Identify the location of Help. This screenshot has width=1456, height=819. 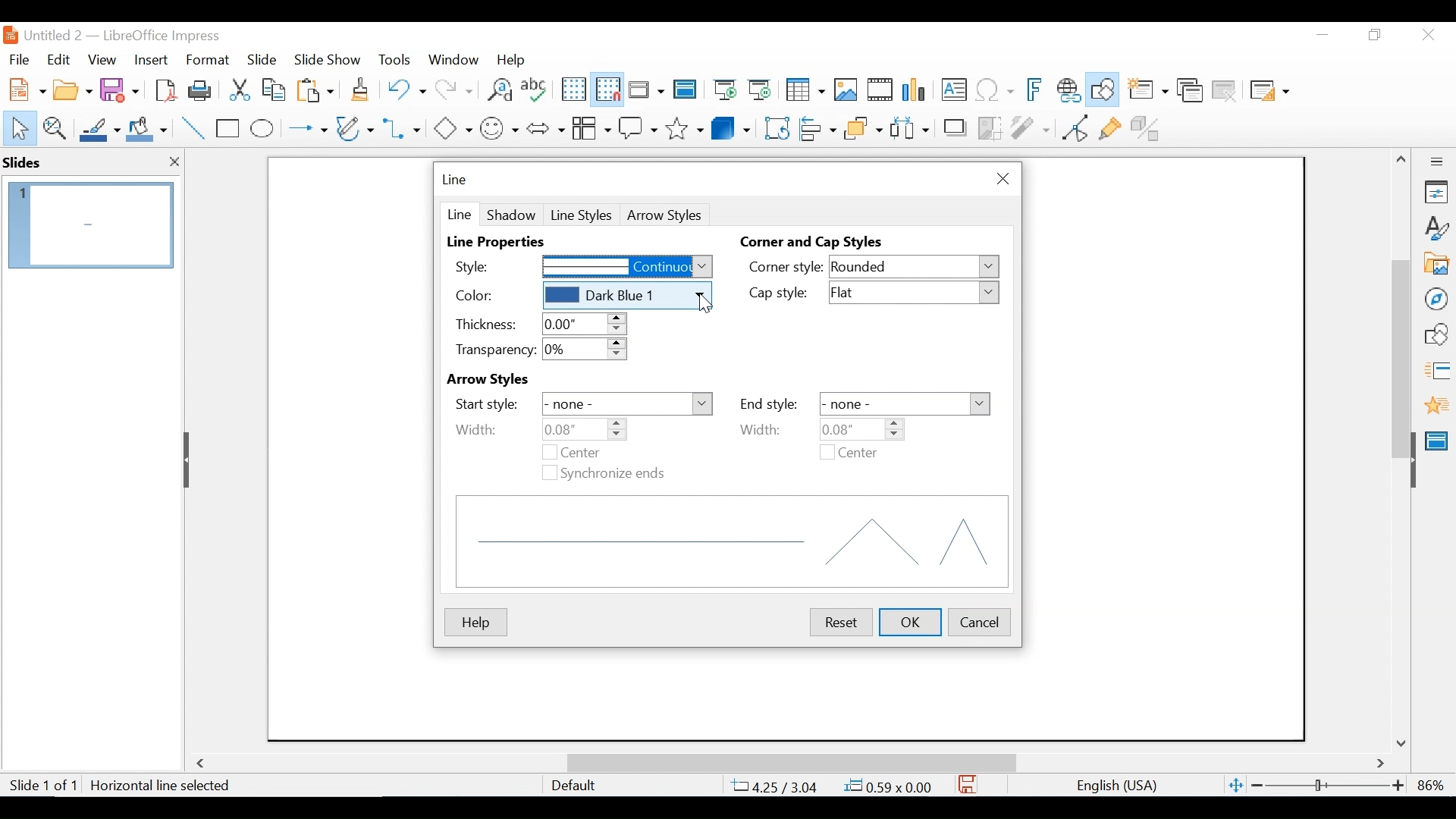
(515, 59).